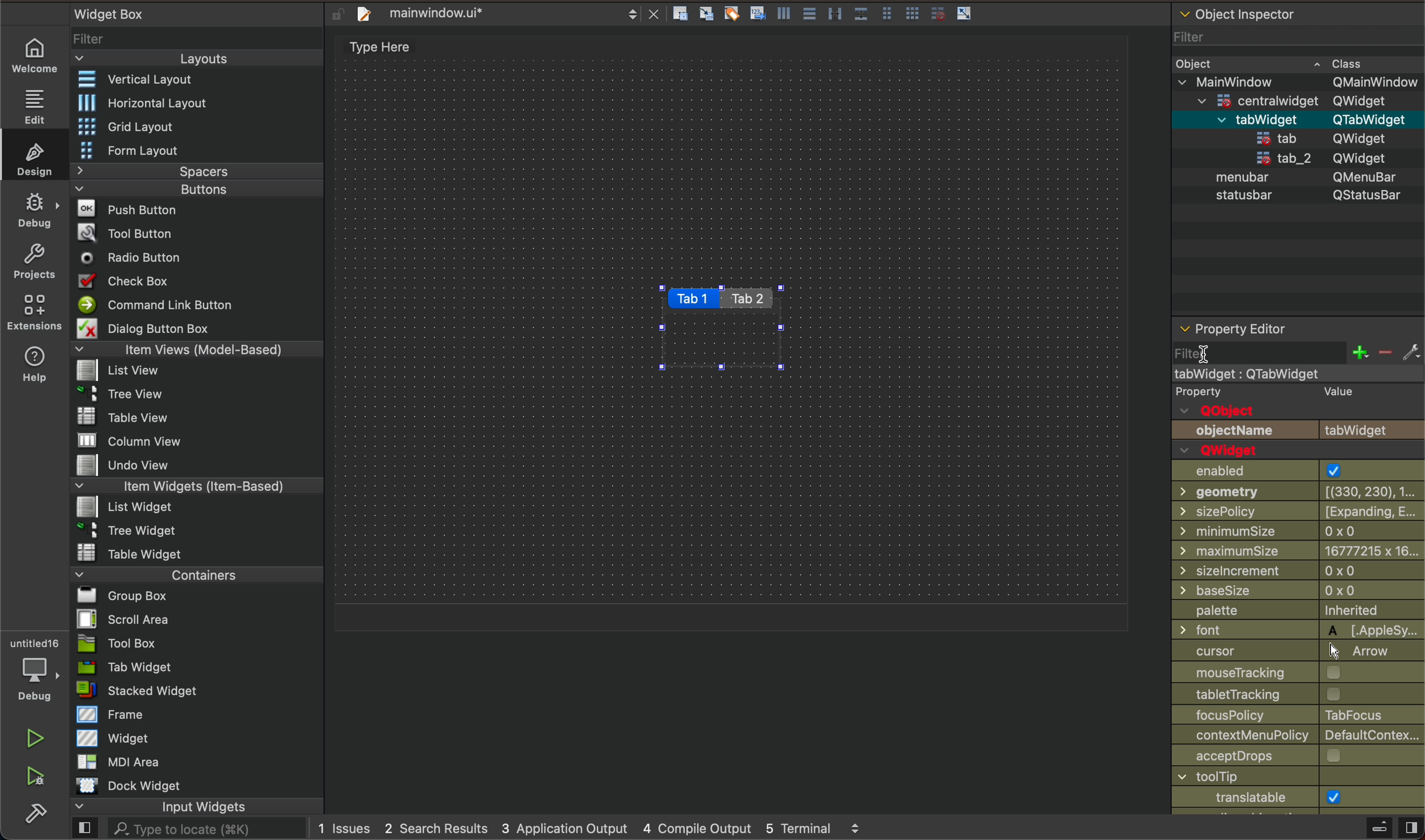 The height and width of the screenshot is (840, 1425). What do you see at coordinates (114, 738) in the screenshot?
I see `Widget` at bounding box center [114, 738].